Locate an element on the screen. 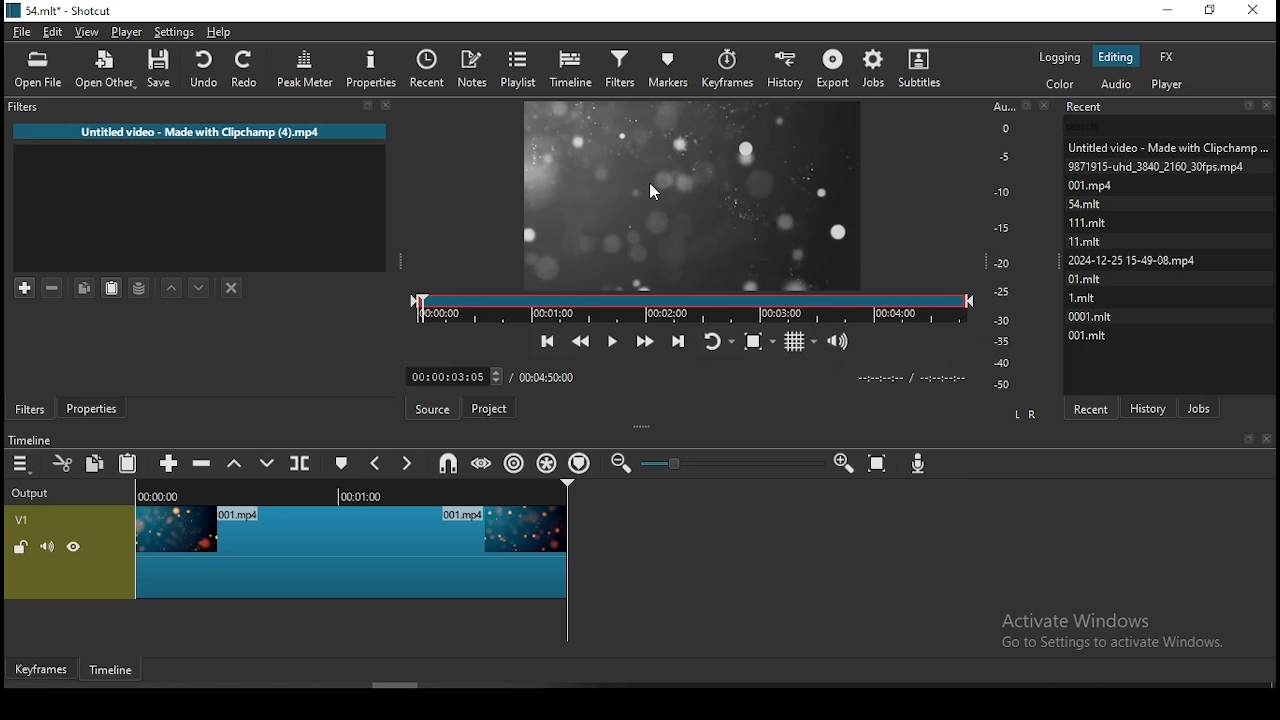 This screenshot has width=1280, height=720. zoom timeline out is located at coordinates (843, 466).